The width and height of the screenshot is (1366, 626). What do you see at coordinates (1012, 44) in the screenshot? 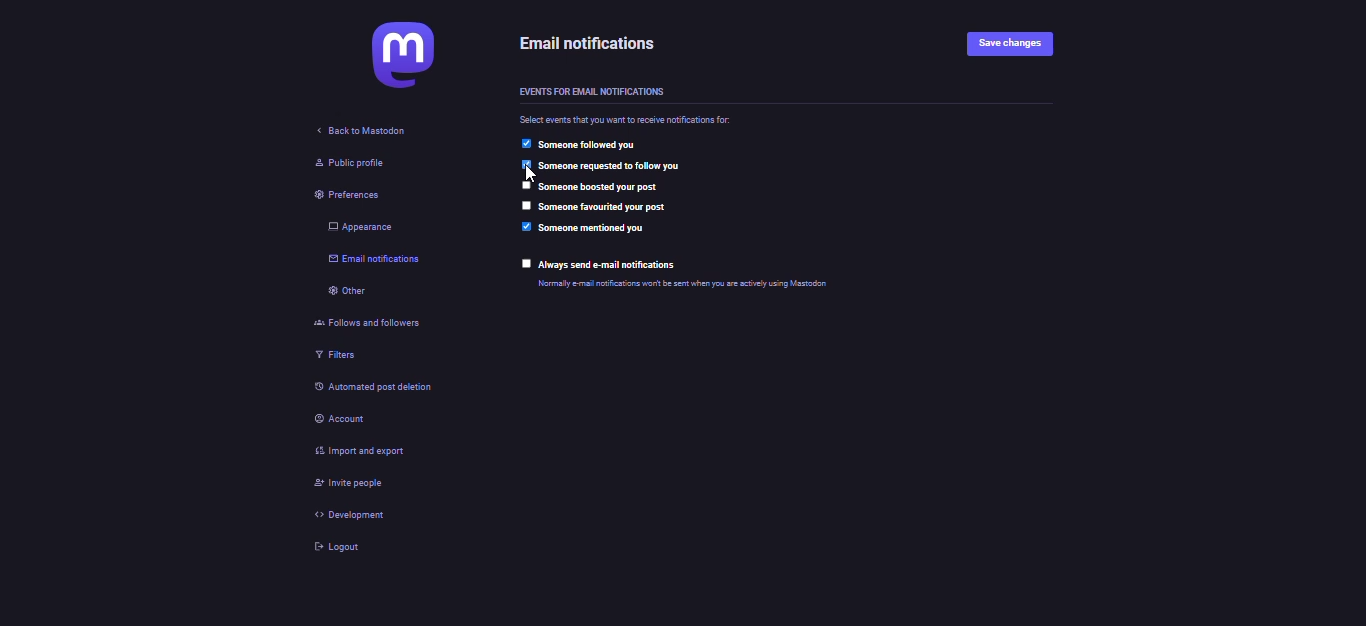
I see `save changes` at bounding box center [1012, 44].